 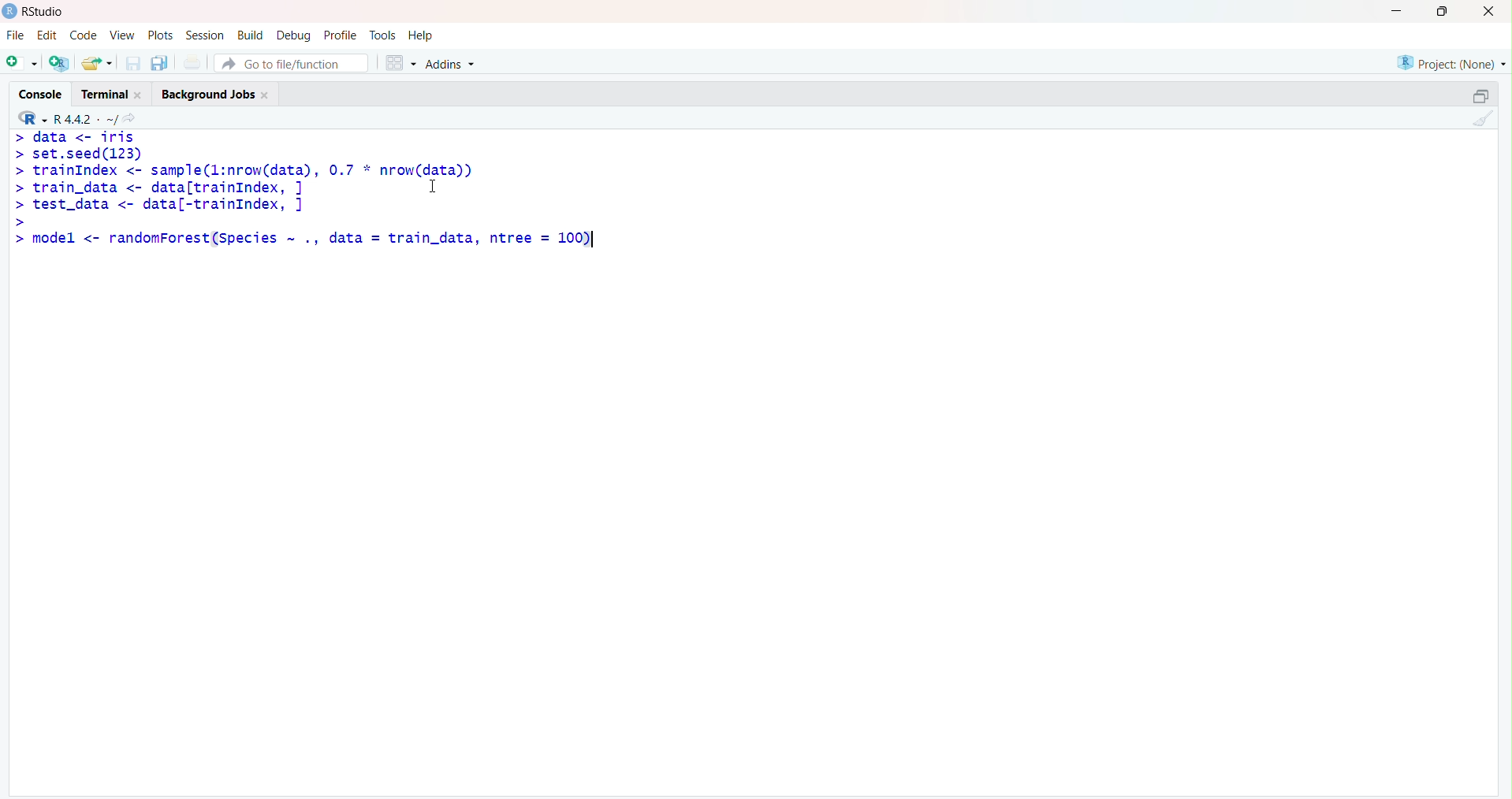 What do you see at coordinates (295, 34) in the screenshot?
I see `Debug` at bounding box center [295, 34].